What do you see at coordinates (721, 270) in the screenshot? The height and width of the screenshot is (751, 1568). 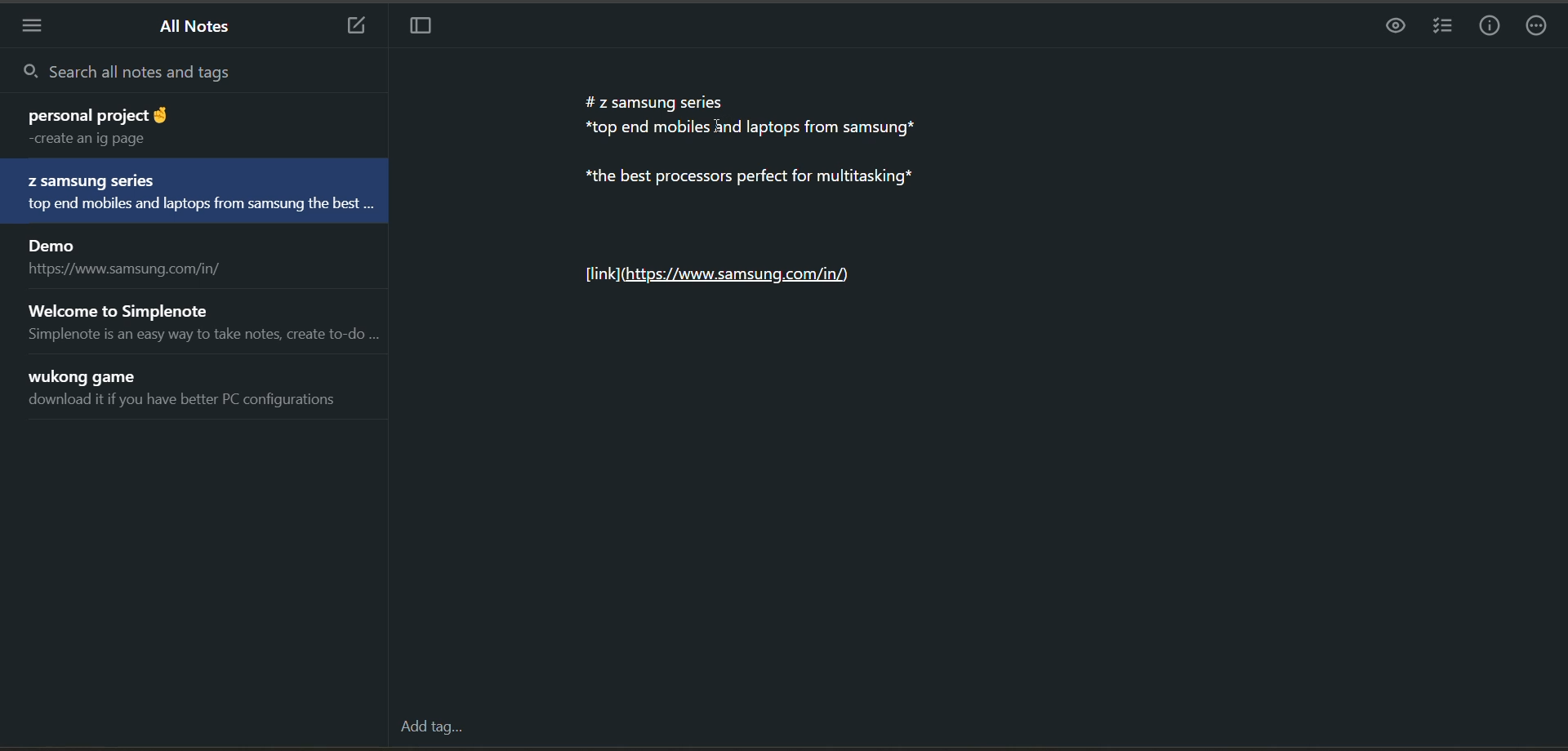 I see `Link` at bounding box center [721, 270].